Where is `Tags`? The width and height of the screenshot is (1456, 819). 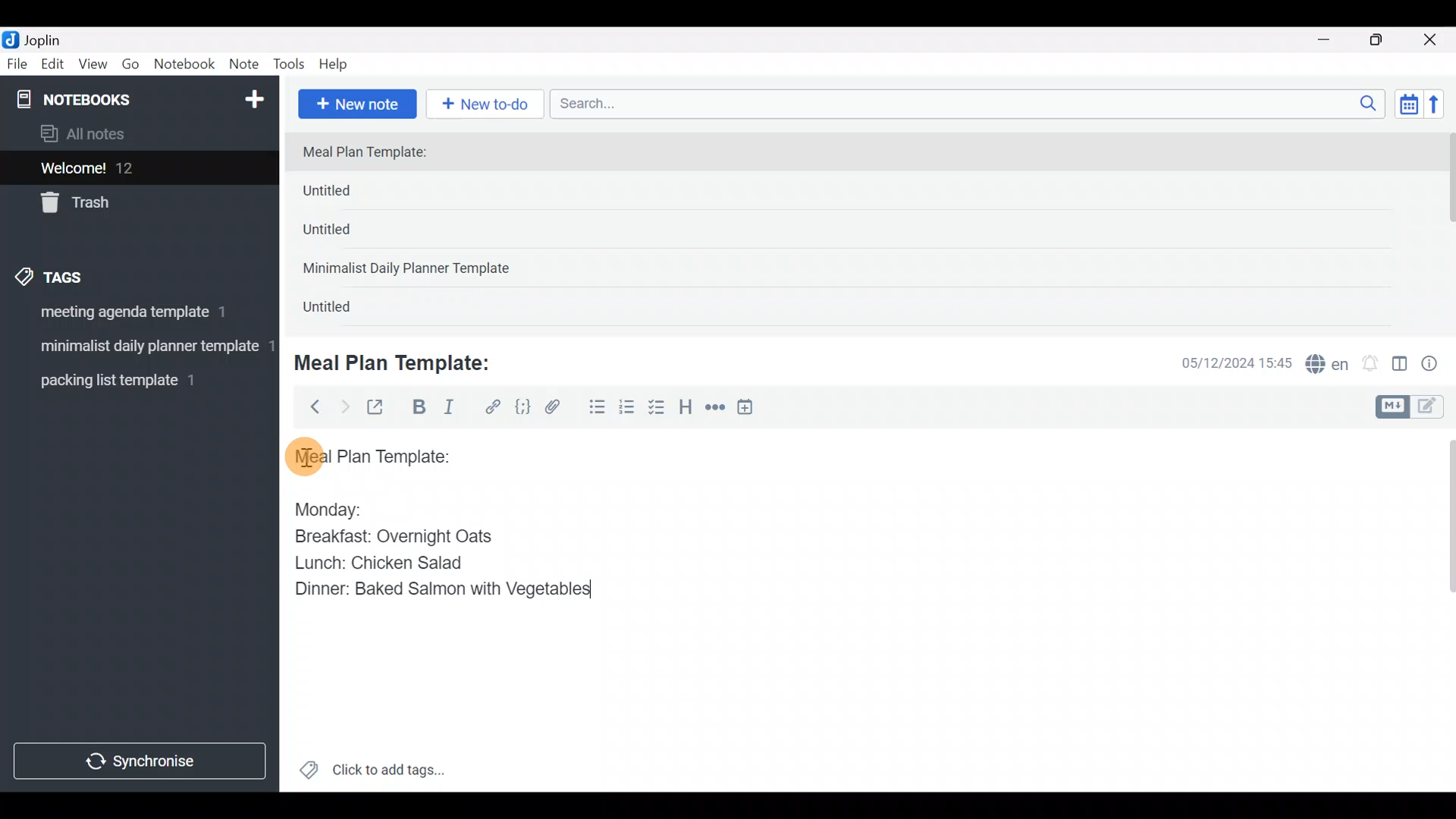 Tags is located at coordinates (85, 275).